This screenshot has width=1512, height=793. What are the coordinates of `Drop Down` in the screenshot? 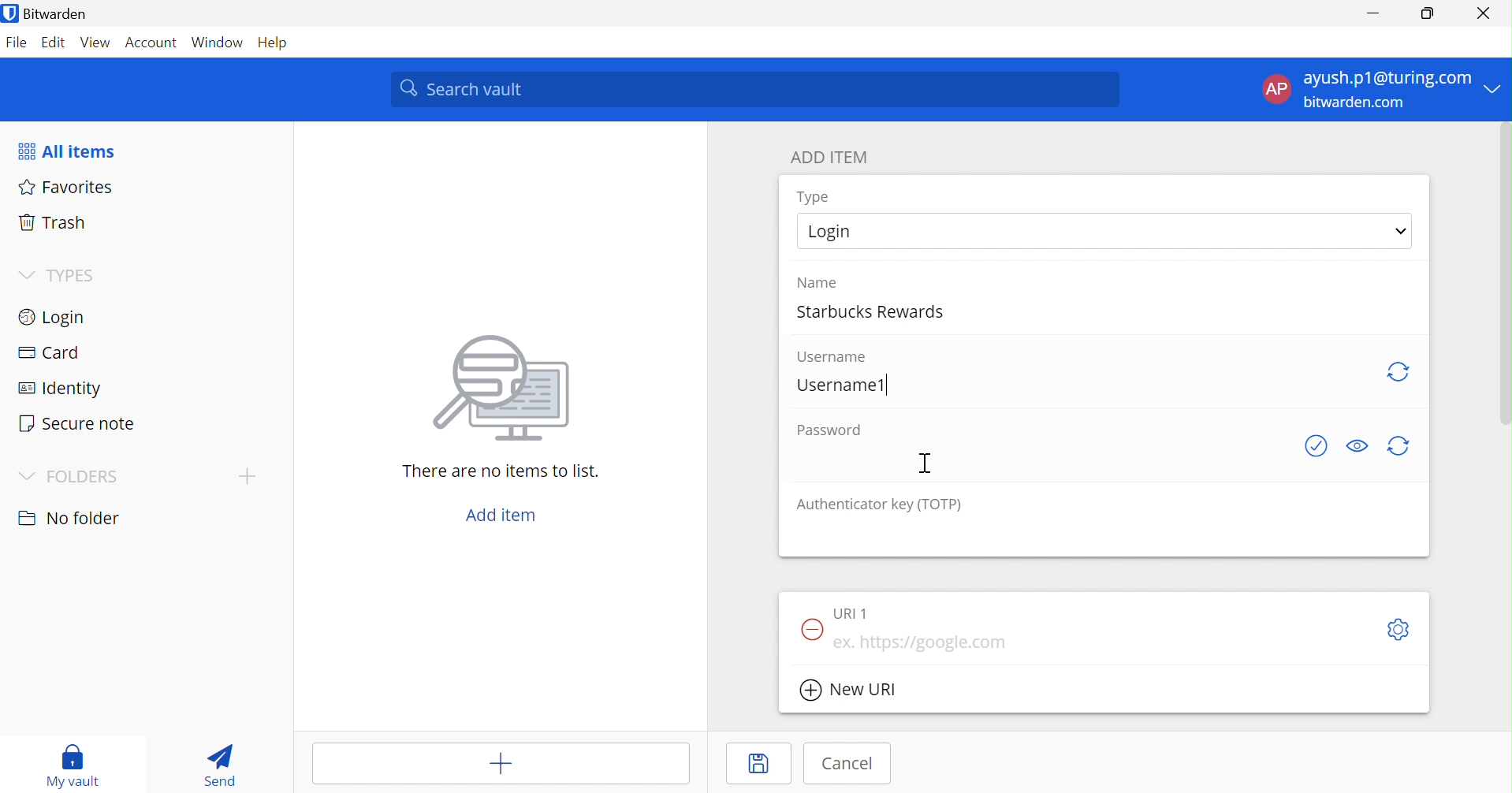 It's located at (28, 477).